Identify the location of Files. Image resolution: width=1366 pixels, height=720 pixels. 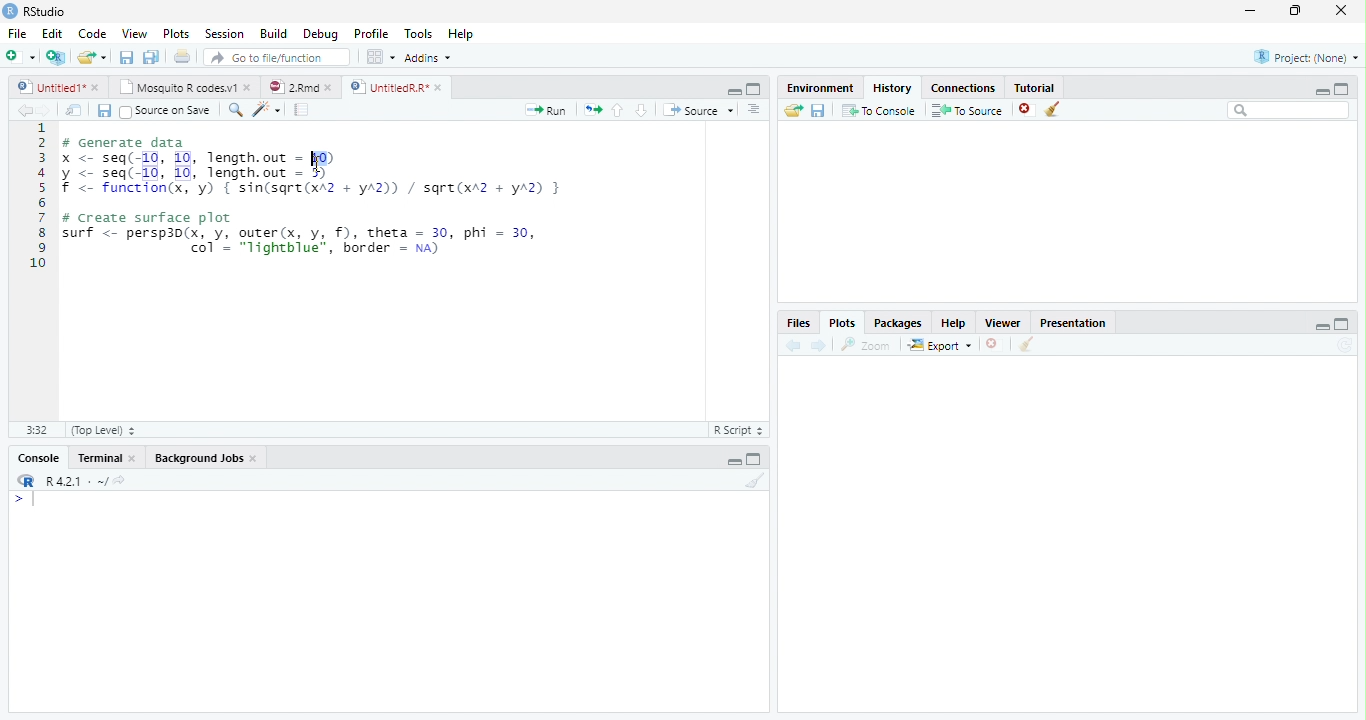
(800, 322).